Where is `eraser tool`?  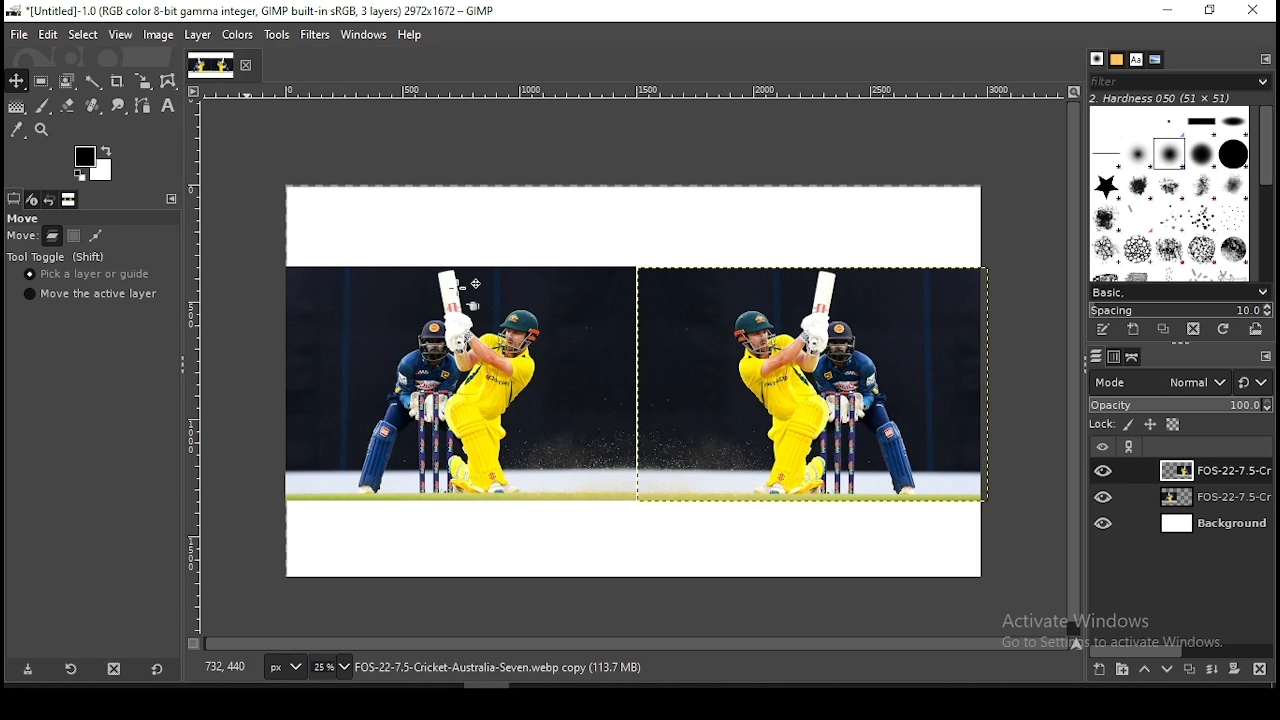
eraser tool is located at coordinates (63, 106).